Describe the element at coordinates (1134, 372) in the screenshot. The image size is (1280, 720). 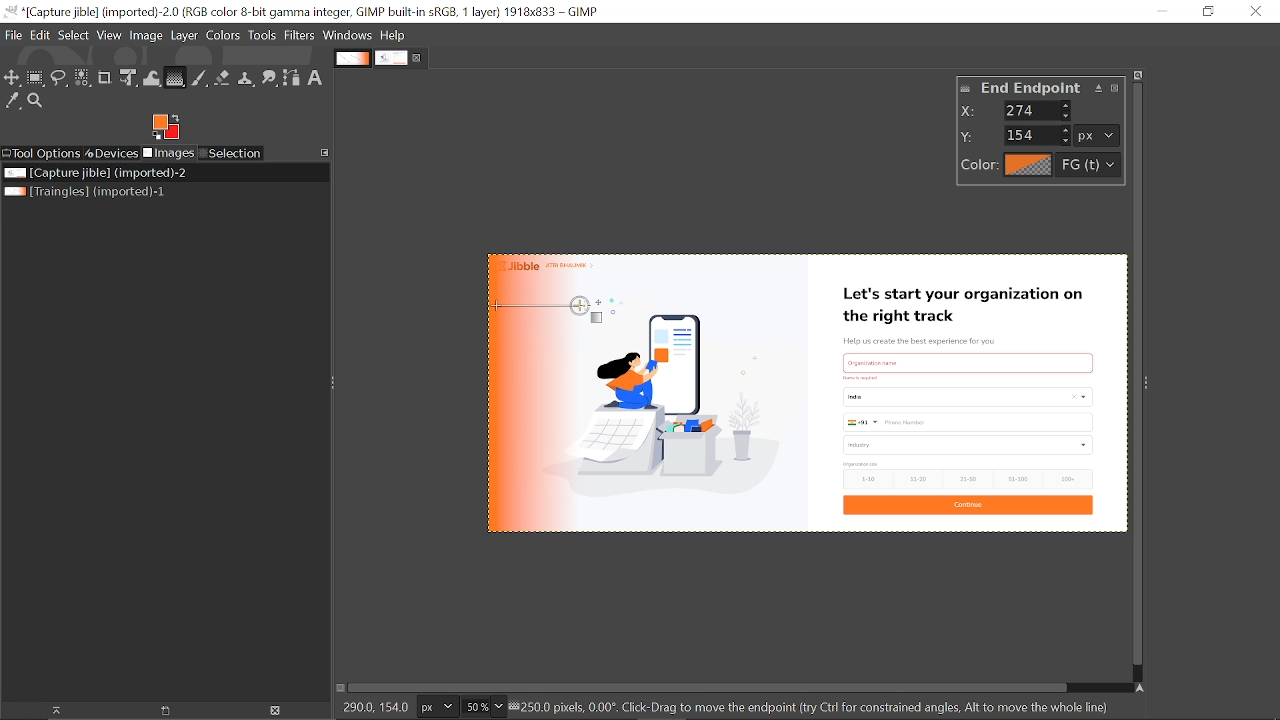
I see `Vertical scrollbar` at that location.